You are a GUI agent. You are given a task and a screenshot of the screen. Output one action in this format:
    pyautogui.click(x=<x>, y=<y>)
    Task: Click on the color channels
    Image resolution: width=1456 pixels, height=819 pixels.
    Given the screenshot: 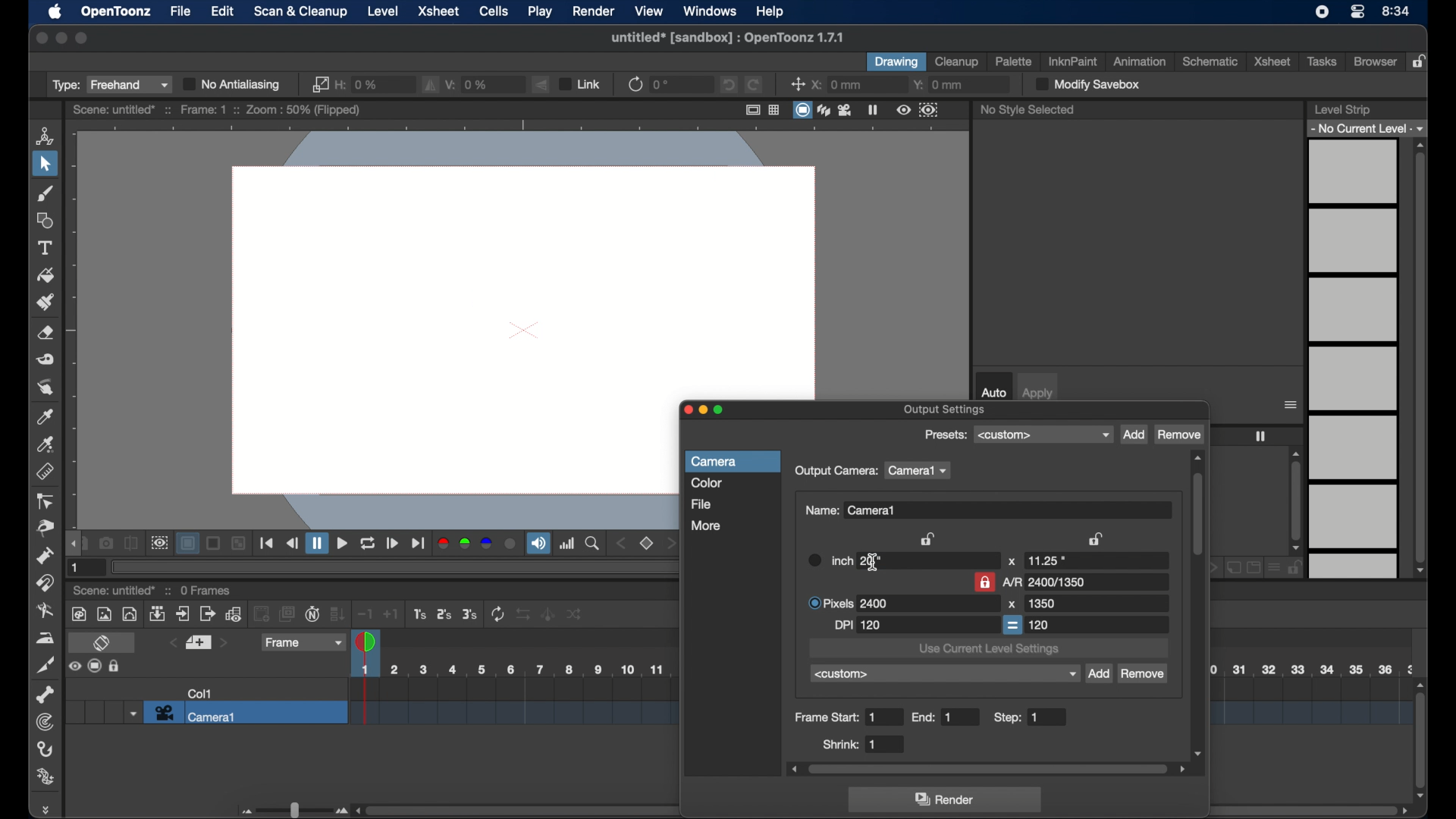 What is the action you would take?
    pyautogui.click(x=477, y=544)
    